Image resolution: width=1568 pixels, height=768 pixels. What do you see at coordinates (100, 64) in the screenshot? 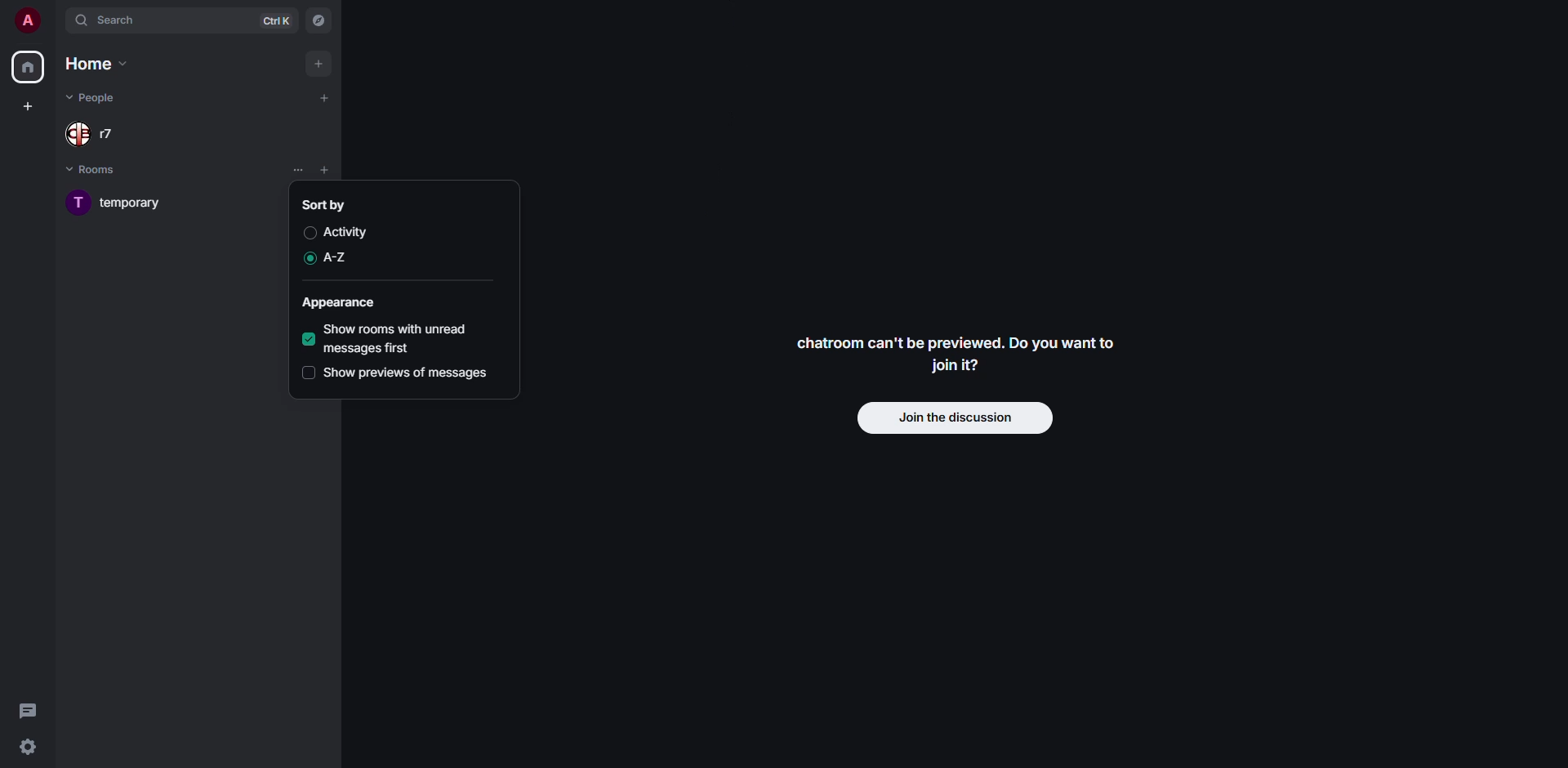
I see `home` at bounding box center [100, 64].